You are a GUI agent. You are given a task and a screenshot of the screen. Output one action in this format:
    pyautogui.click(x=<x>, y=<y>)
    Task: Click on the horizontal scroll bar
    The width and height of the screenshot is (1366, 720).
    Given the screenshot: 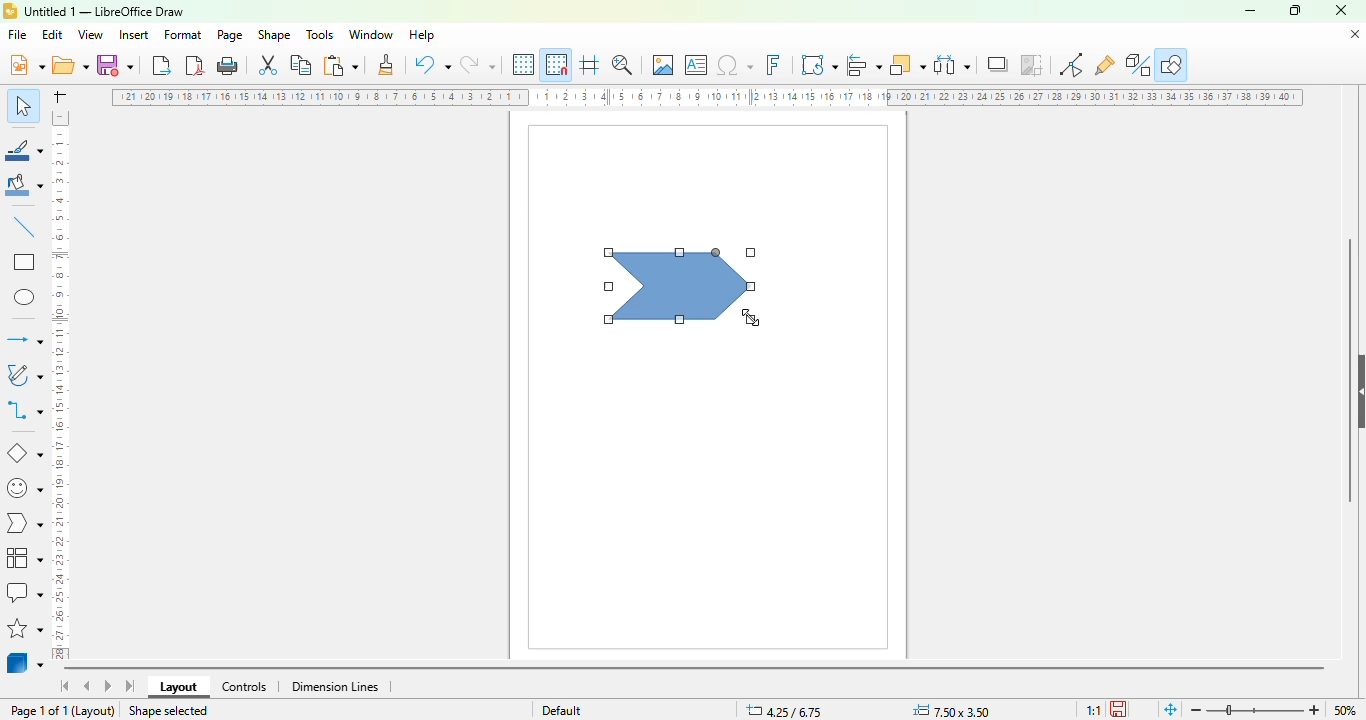 What is the action you would take?
    pyautogui.click(x=695, y=670)
    